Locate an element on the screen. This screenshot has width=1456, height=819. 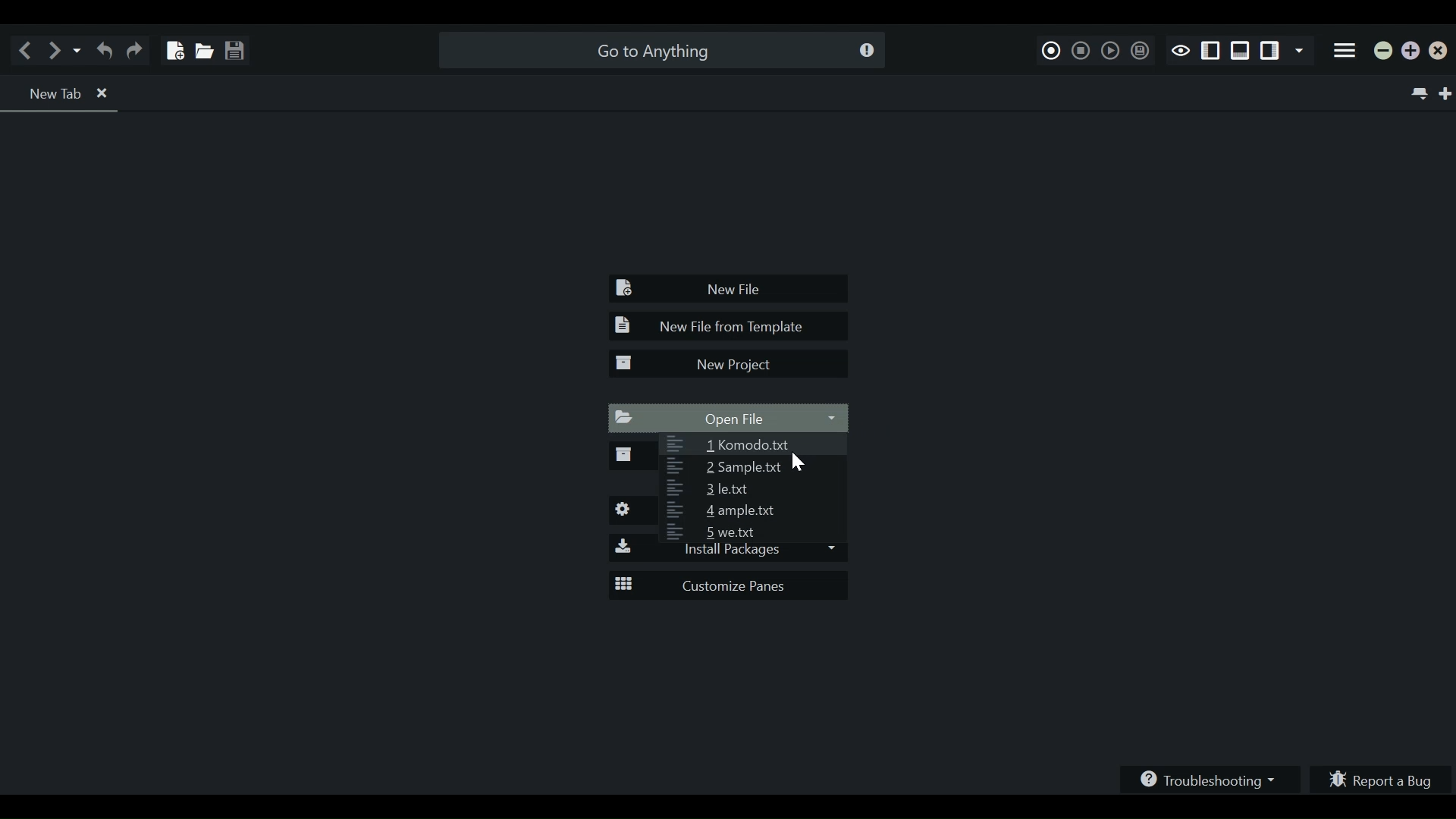
Open Project is located at coordinates (630, 458).